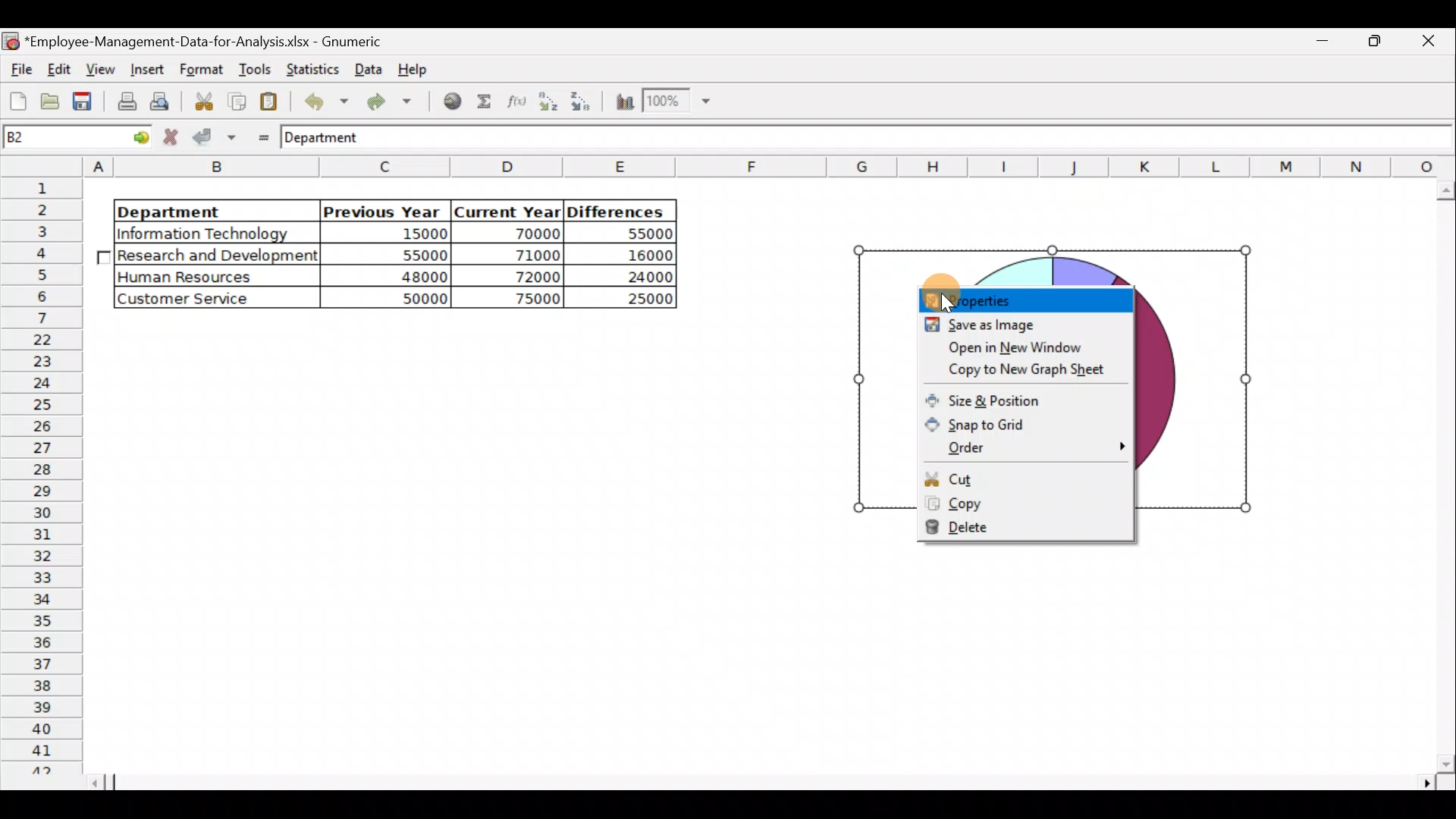 Image resolution: width=1456 pixels, height=819 pixels. Describe the element at coordinates (1429, 43) in the screenshot. I see `Close` at that location.